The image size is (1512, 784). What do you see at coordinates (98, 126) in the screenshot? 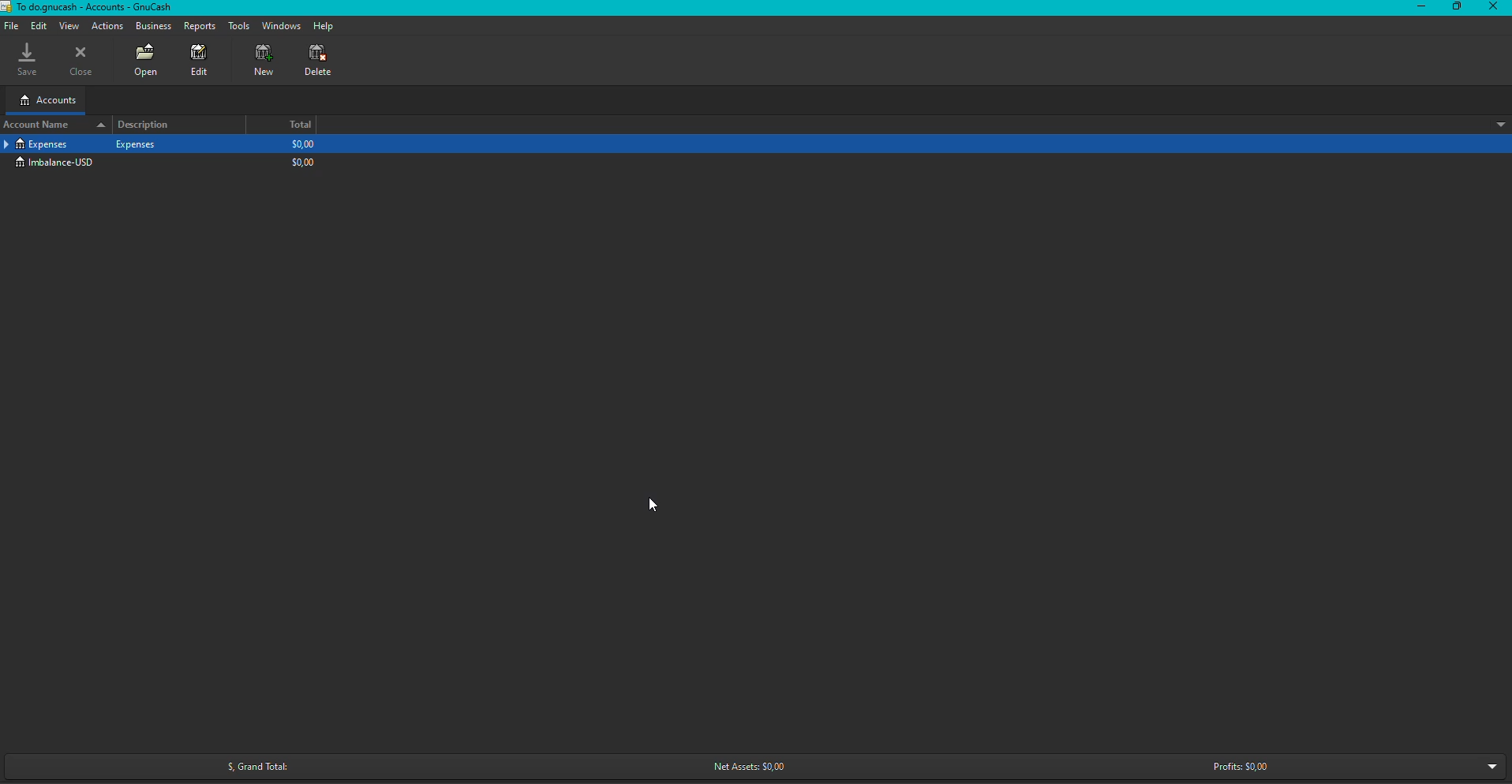
I see `sort` at bounding box center [98, 126].